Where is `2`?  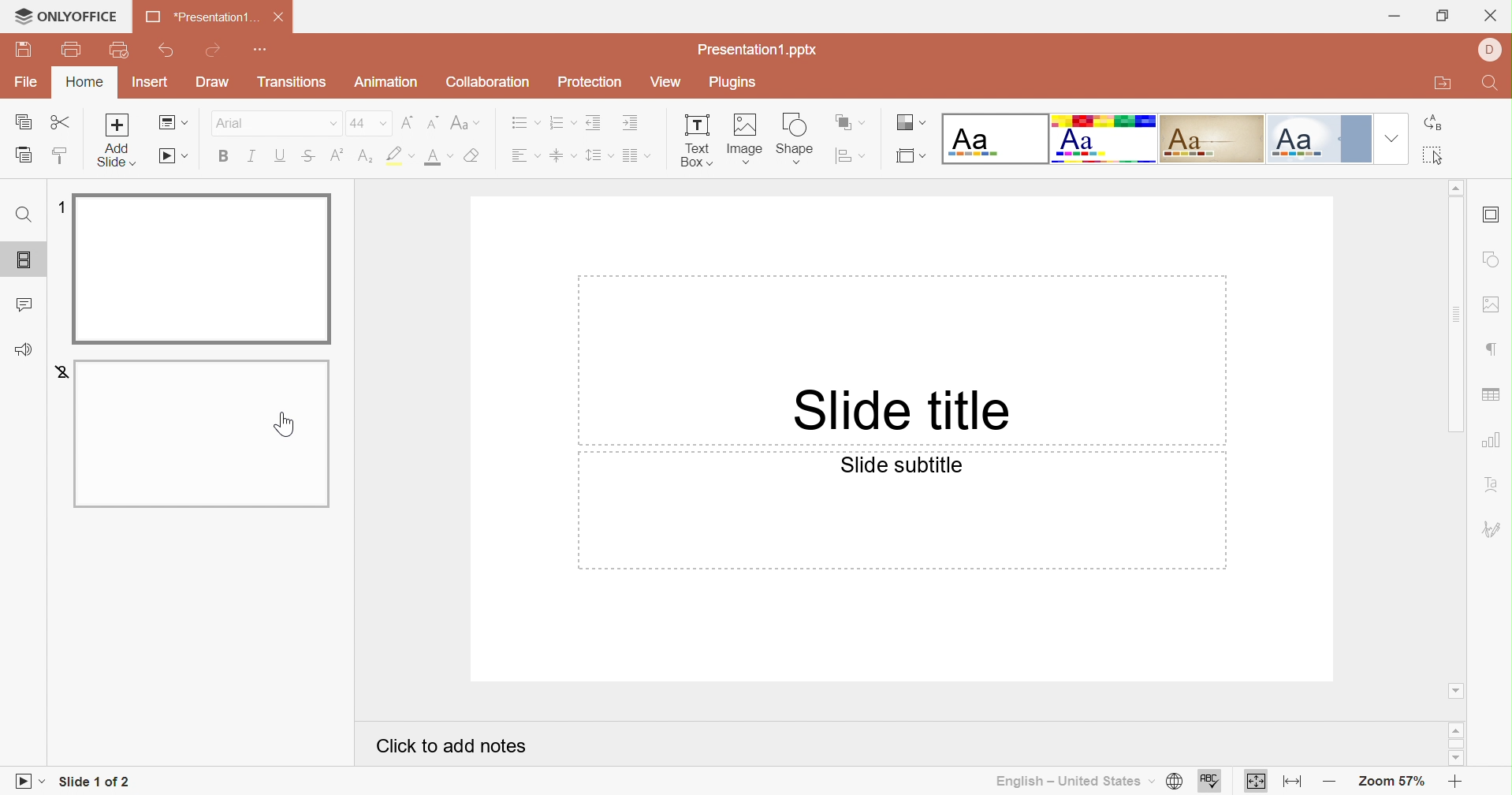 2 is located at coordinates (57, 371).